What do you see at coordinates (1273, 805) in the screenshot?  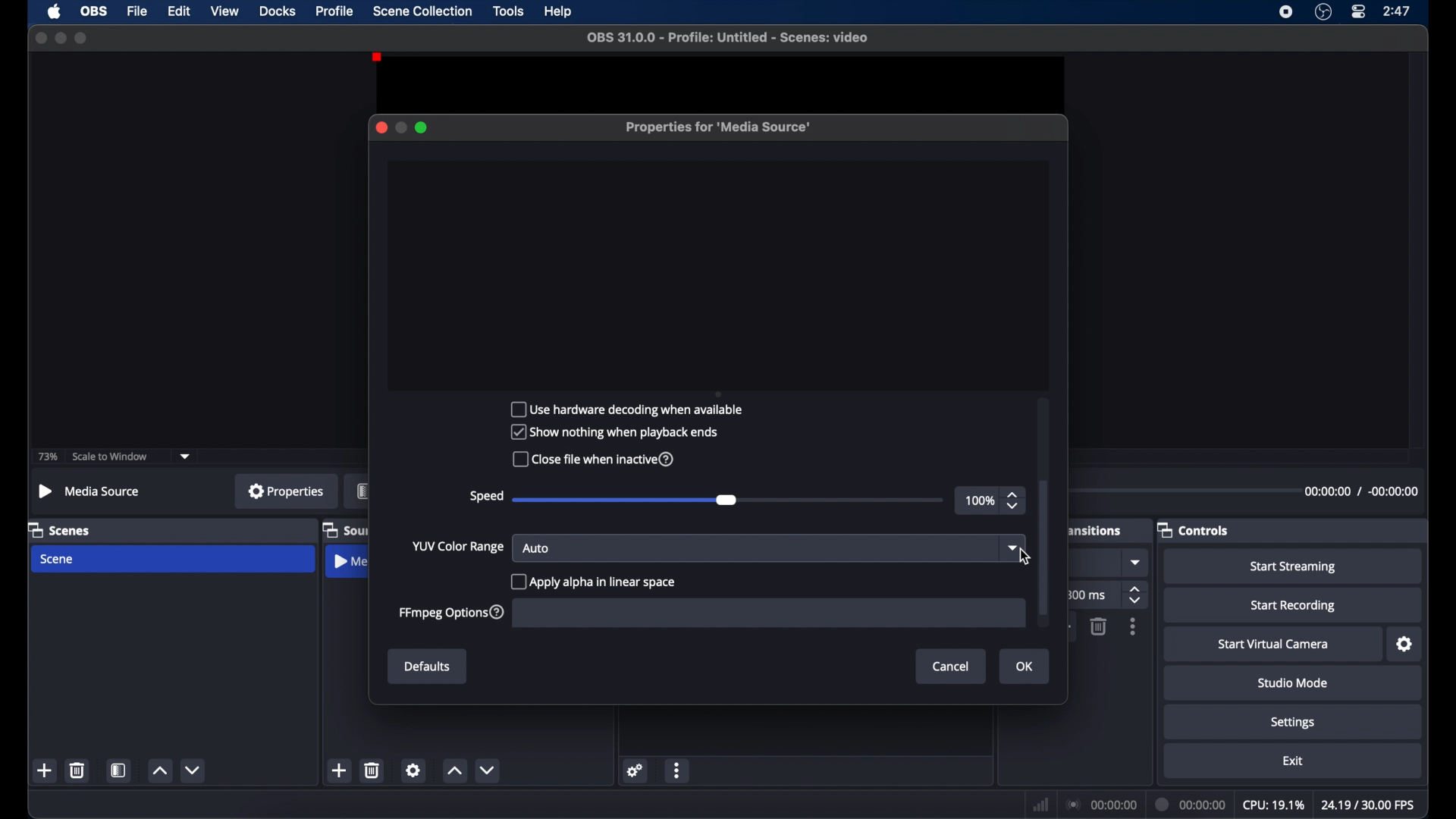 I see `cpu` at bounding box center [1273, 805].